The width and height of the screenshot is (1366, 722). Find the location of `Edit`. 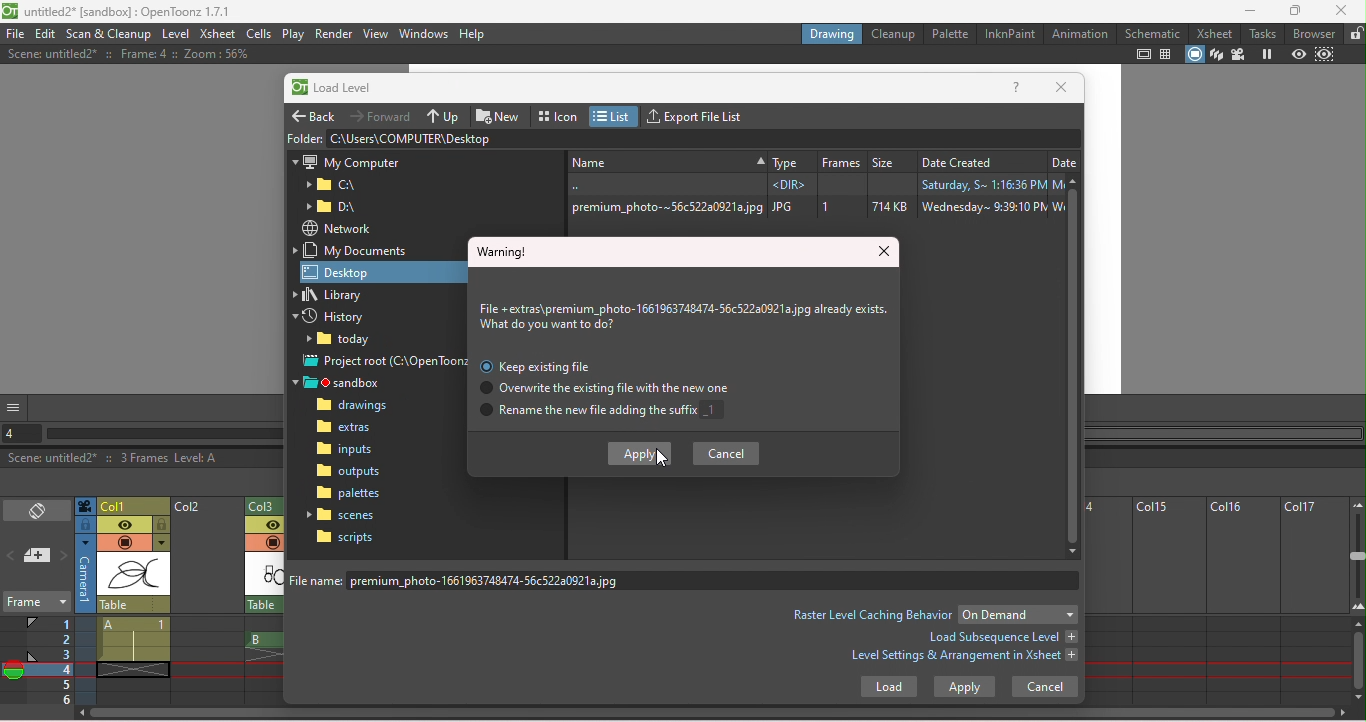

Edit is located at coordinates (47, 34).